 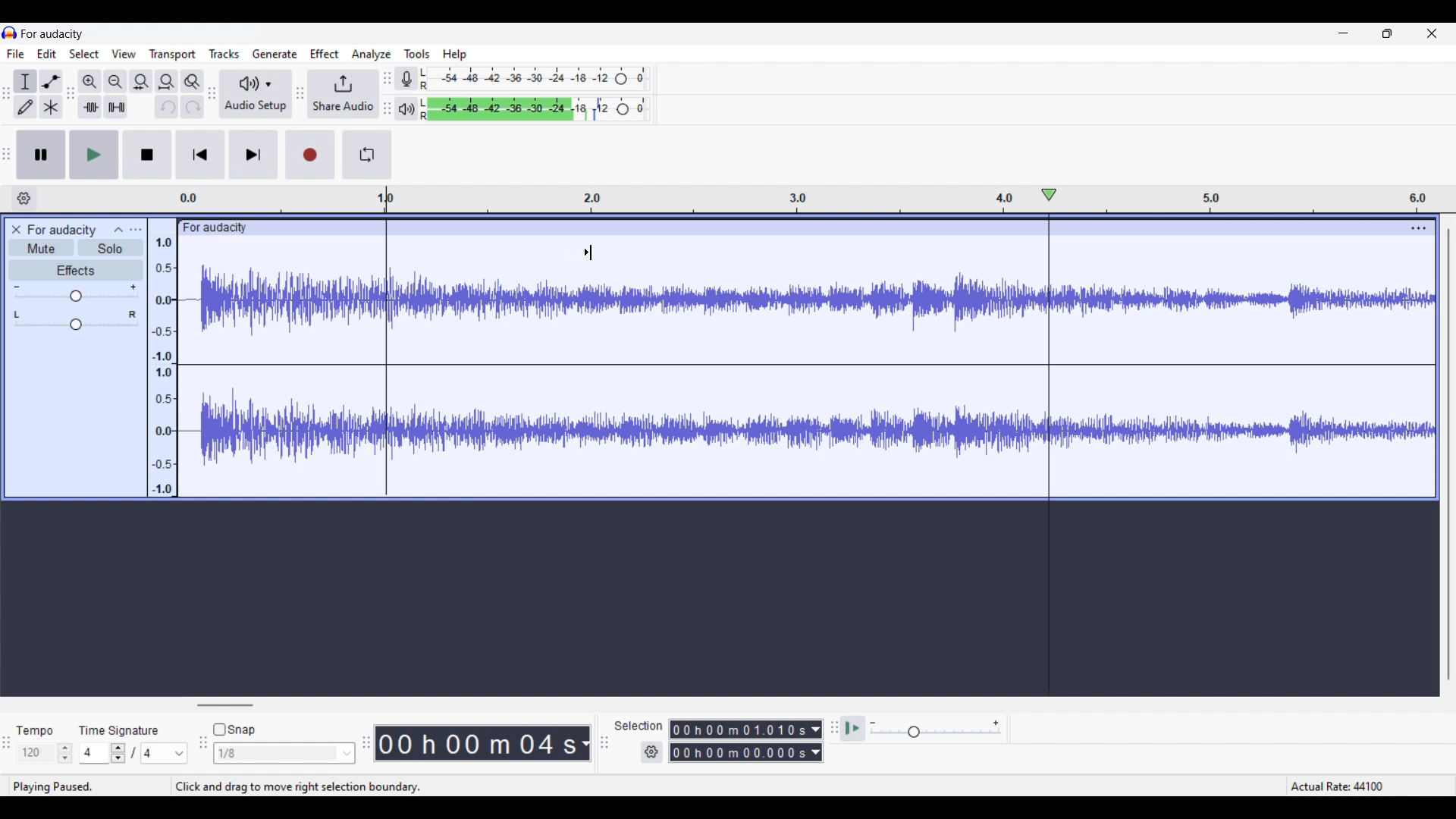 What do you see at coordinates (94, 155) in the screenshot?
I see `Play/Play once` at bounding box center [94, 155].